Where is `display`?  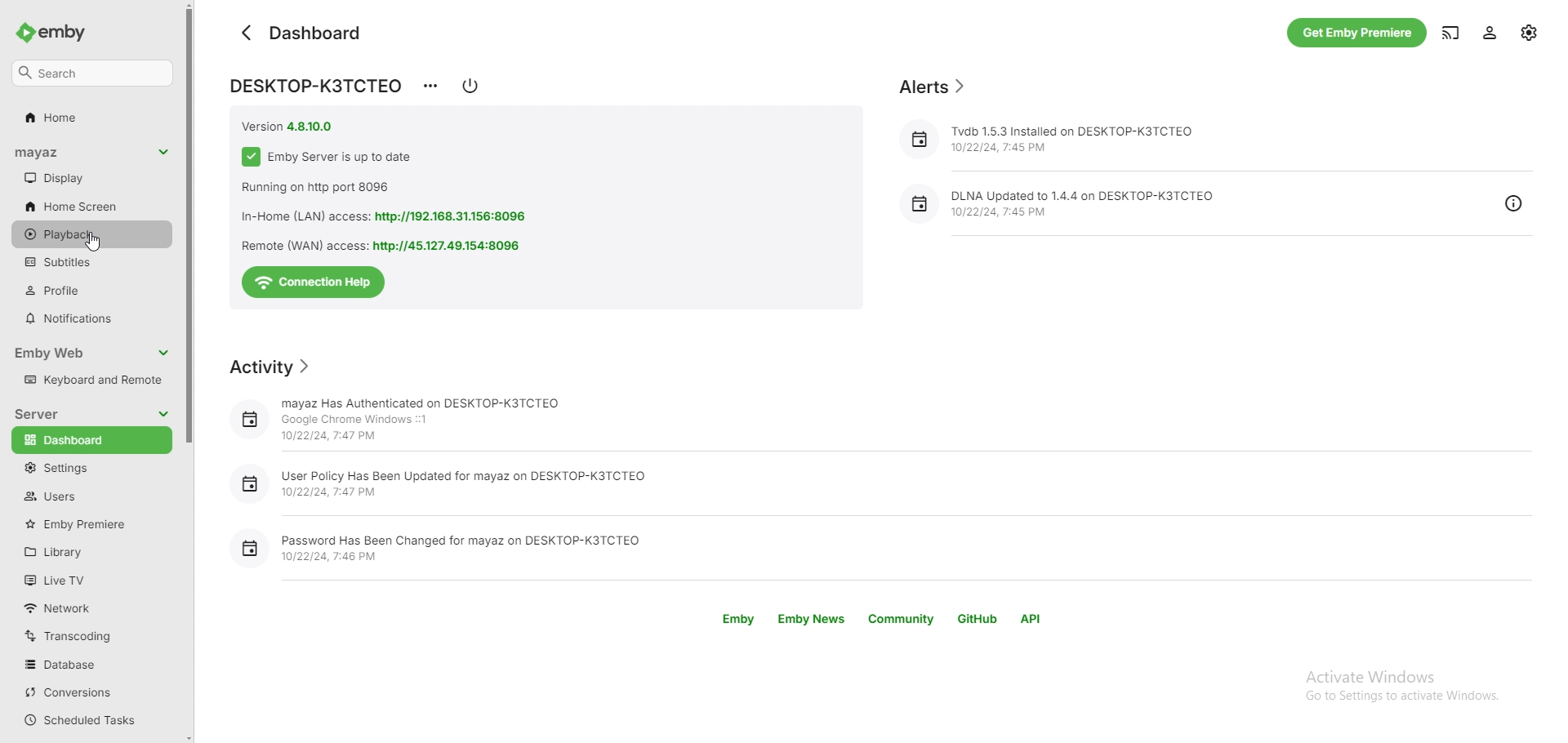
display is located at coordinates (80, 178).